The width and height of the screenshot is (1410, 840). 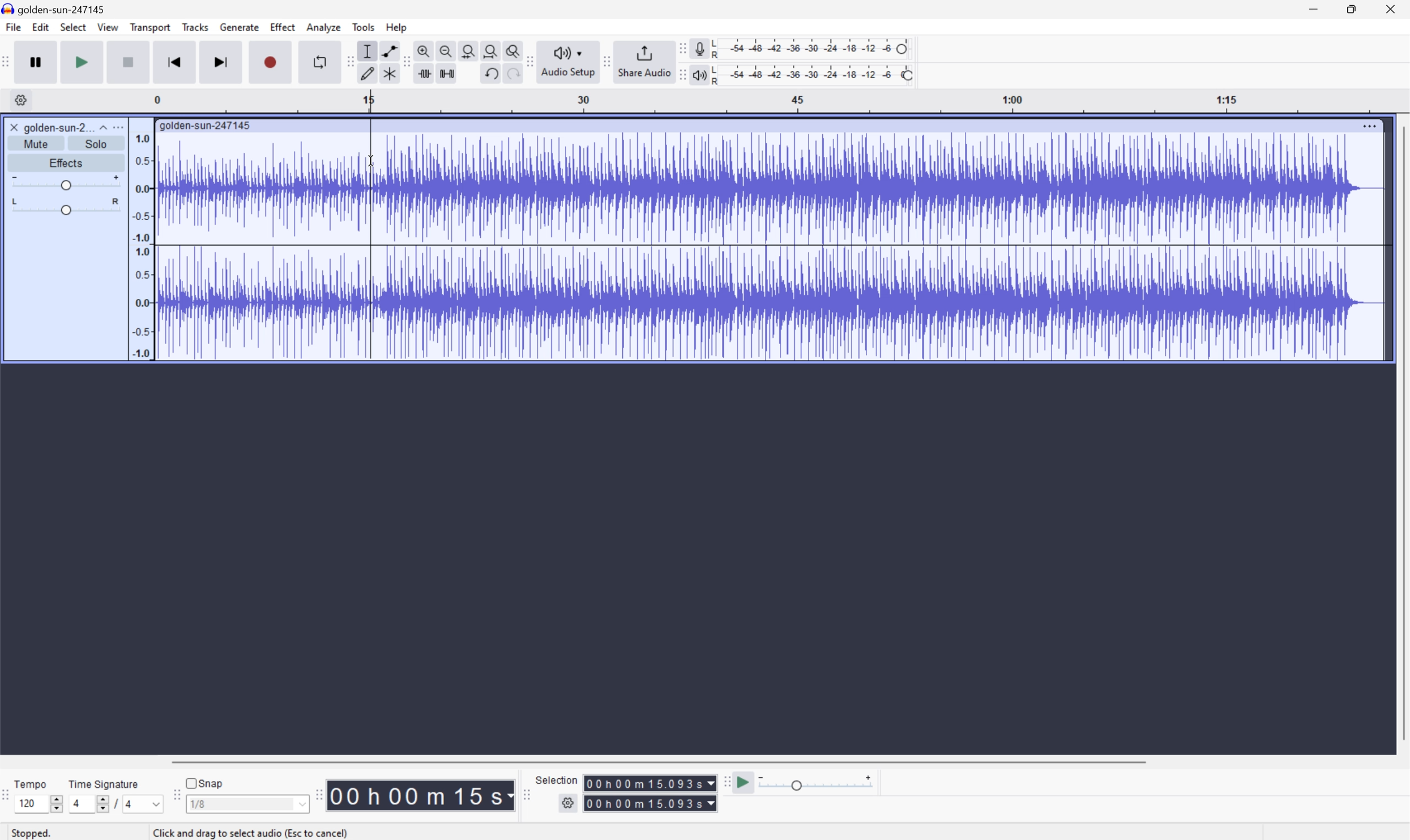 What do you see at coordinates (55, 128) in the screenshot?
I see `` at bounding box center [55, 128].